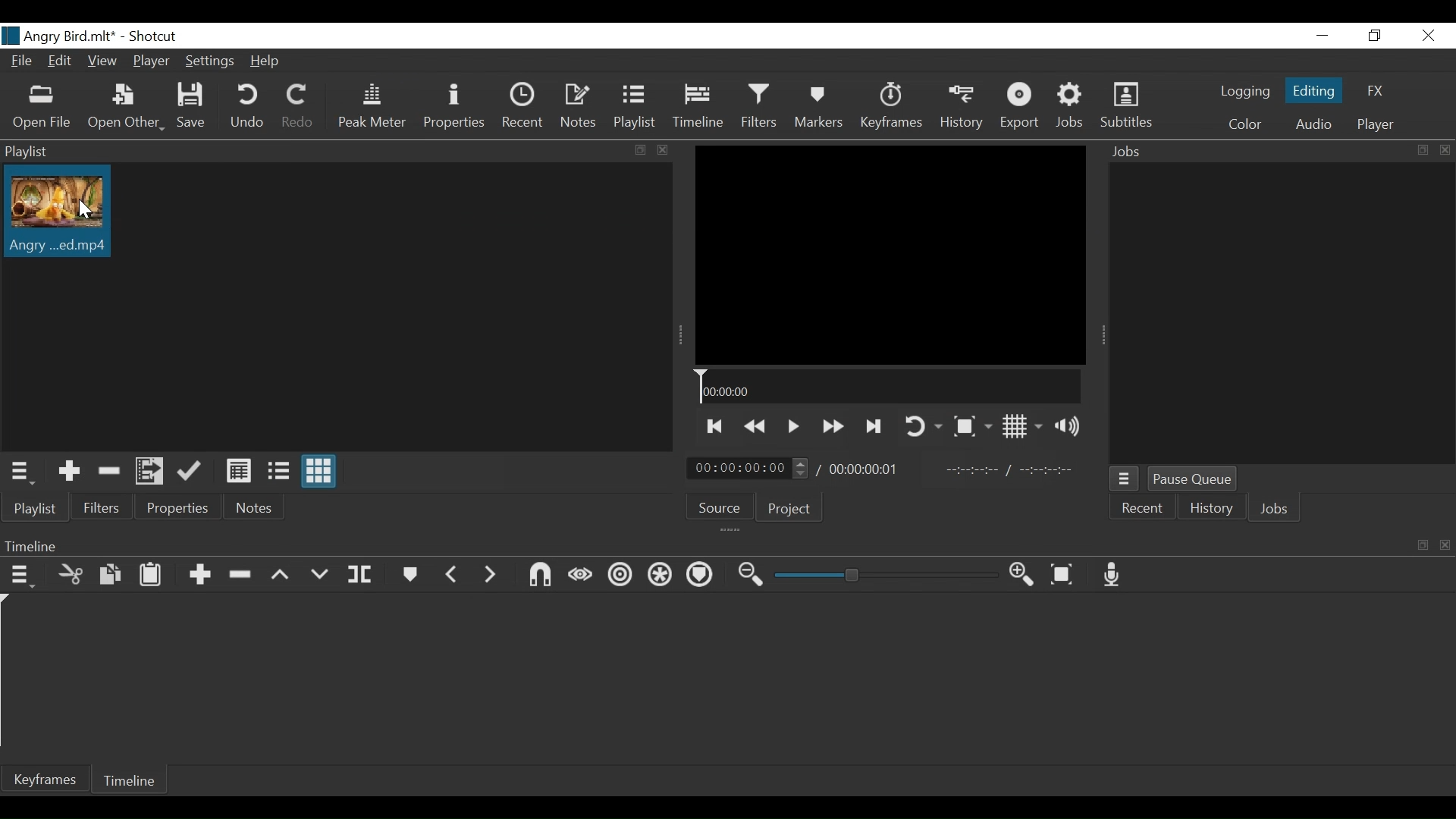 This screenshot has width=1456, height=819. Describe the element at coordinates (84, 214) in the screenshot. I see `cursor` at that location.